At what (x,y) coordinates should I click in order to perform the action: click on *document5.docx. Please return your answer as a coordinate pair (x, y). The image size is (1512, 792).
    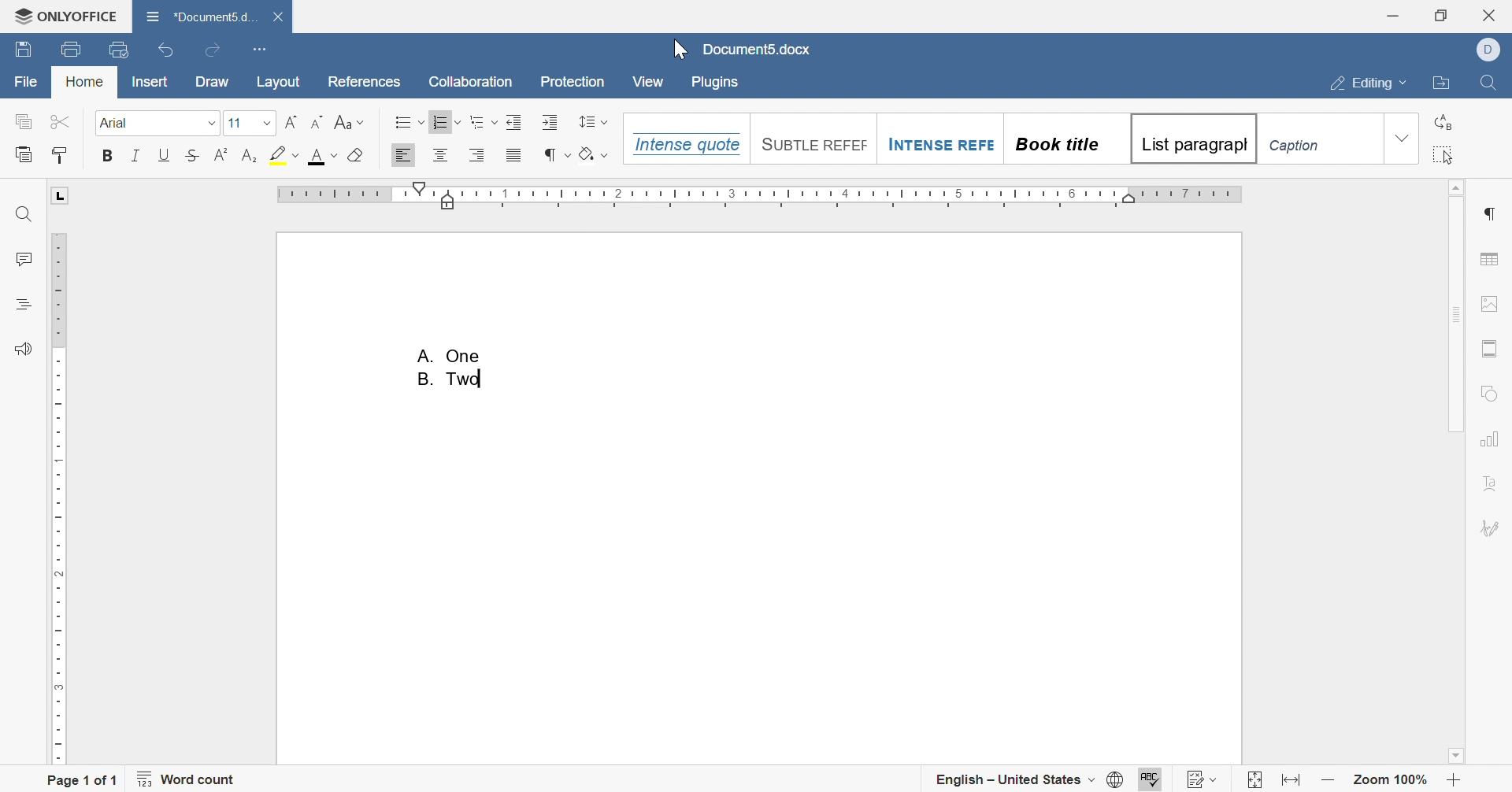
    Looking at the image, I should click on (202, 15).